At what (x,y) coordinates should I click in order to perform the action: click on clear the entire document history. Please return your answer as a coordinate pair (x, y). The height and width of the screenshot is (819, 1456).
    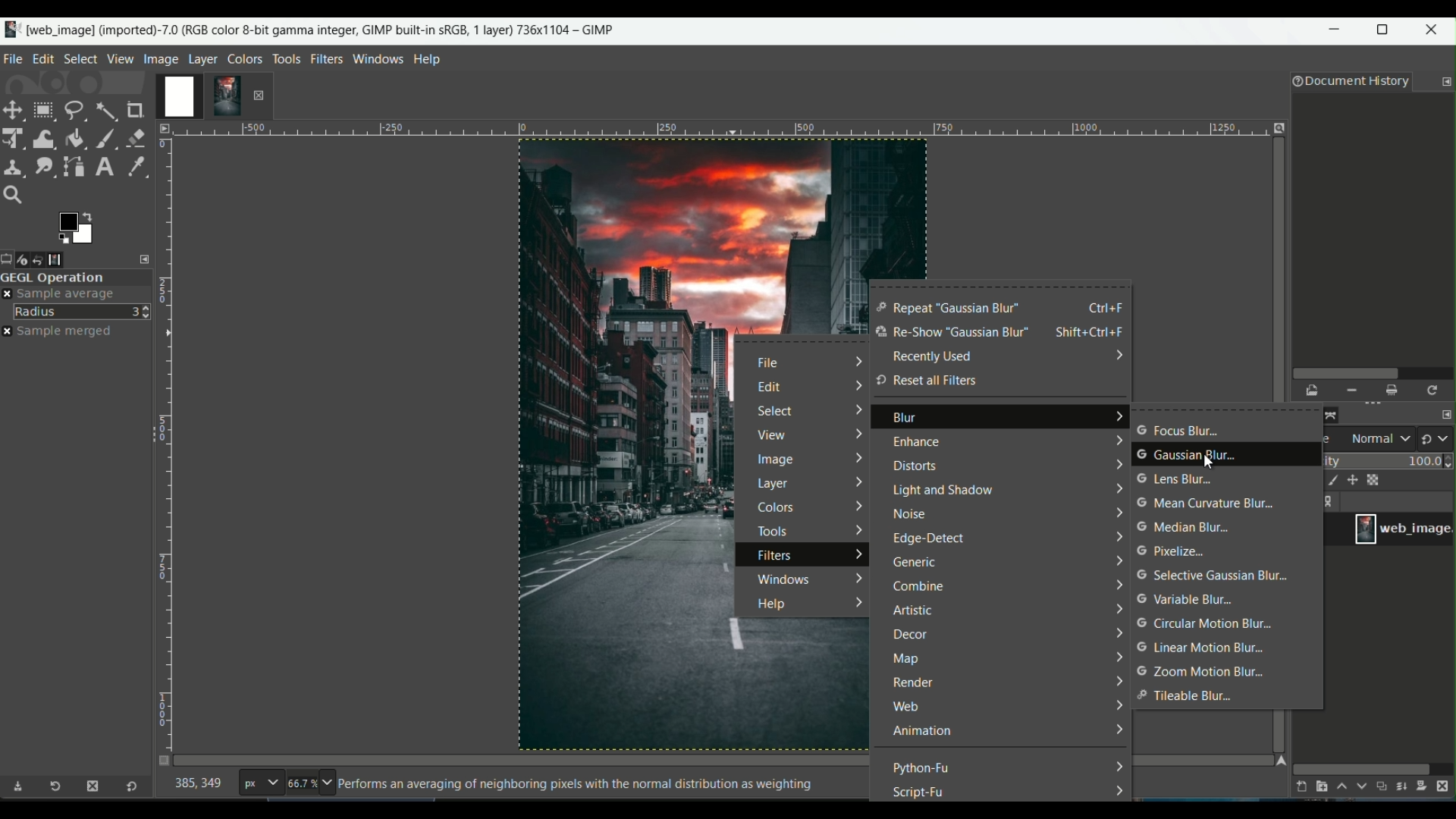
    Looking at the image, I should click on (1393, 391).